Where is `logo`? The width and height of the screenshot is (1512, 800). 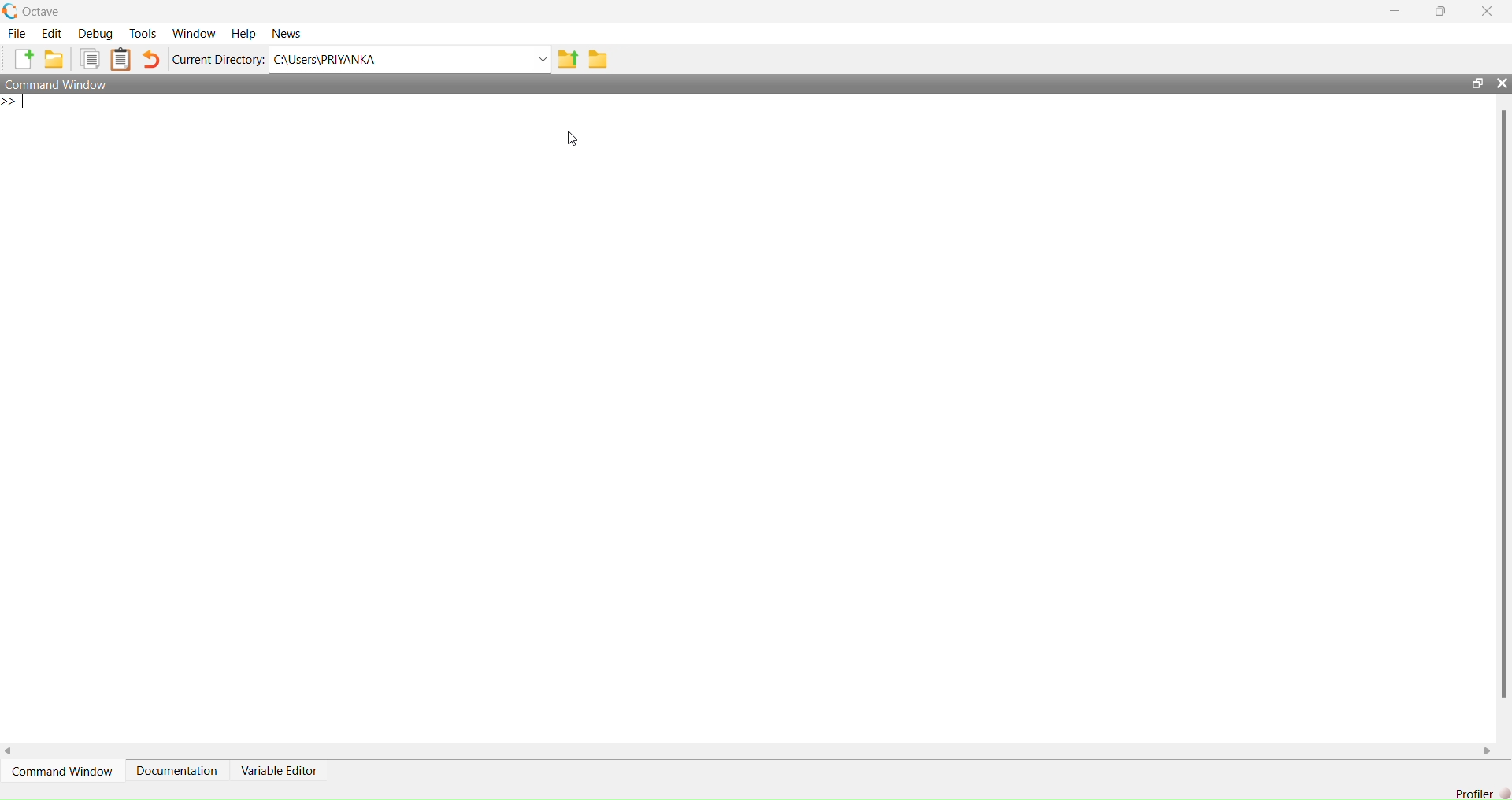 logo is located at coordinates (11, 12).